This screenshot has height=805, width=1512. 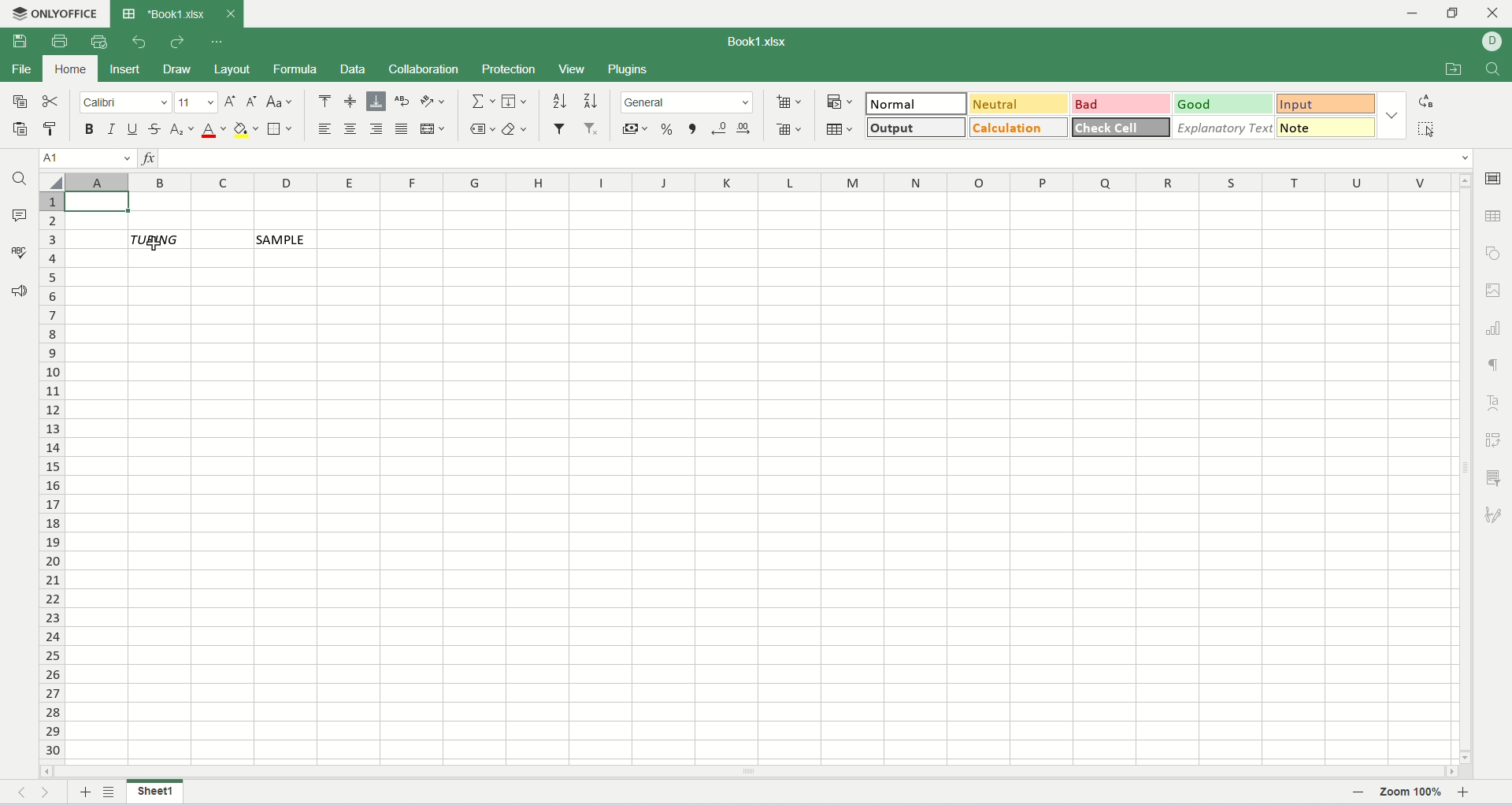 I want to click on bold, so click(x=90, y=130).